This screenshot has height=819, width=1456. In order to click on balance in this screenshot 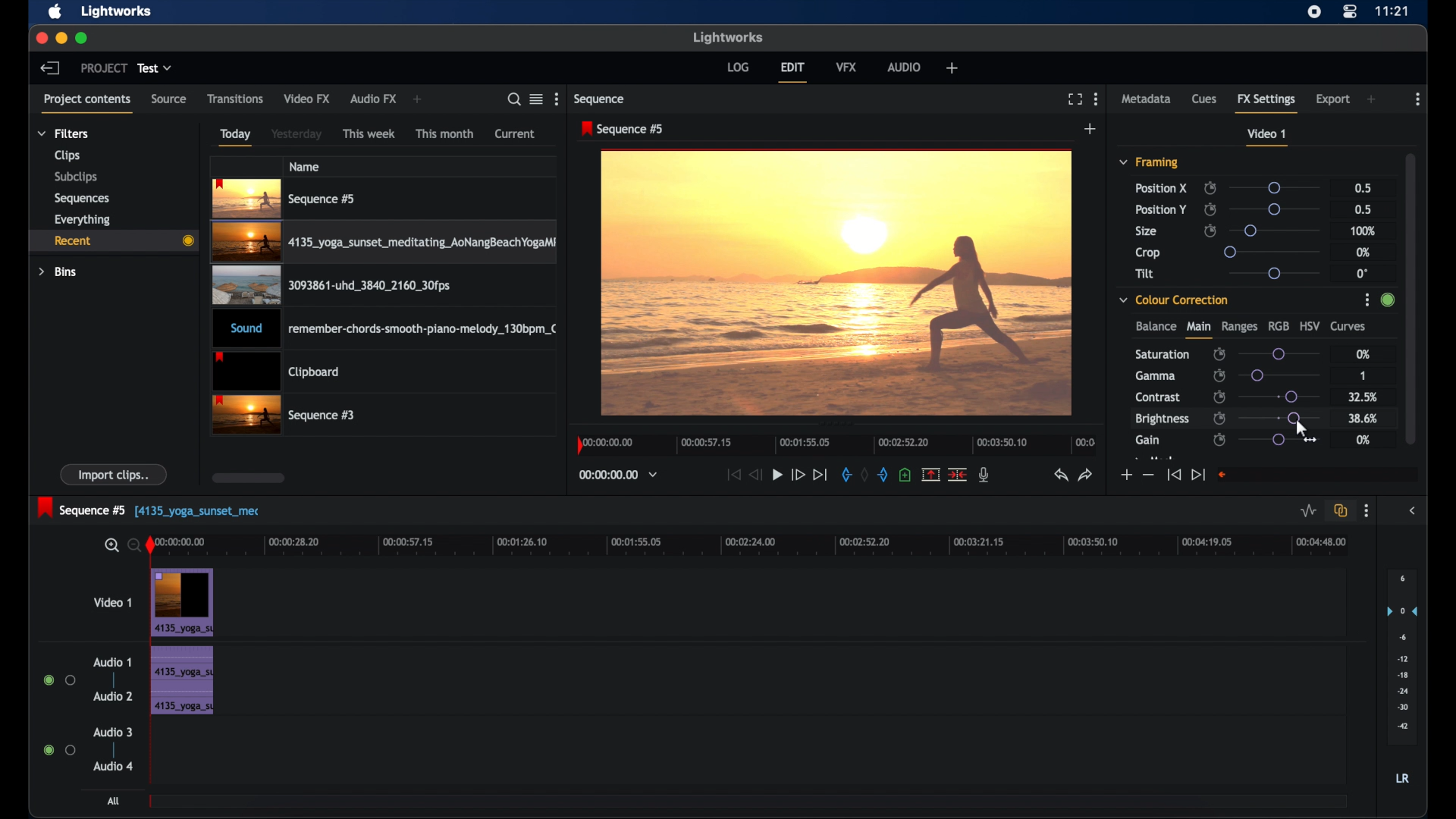, I will do `click(1155, 326)`.